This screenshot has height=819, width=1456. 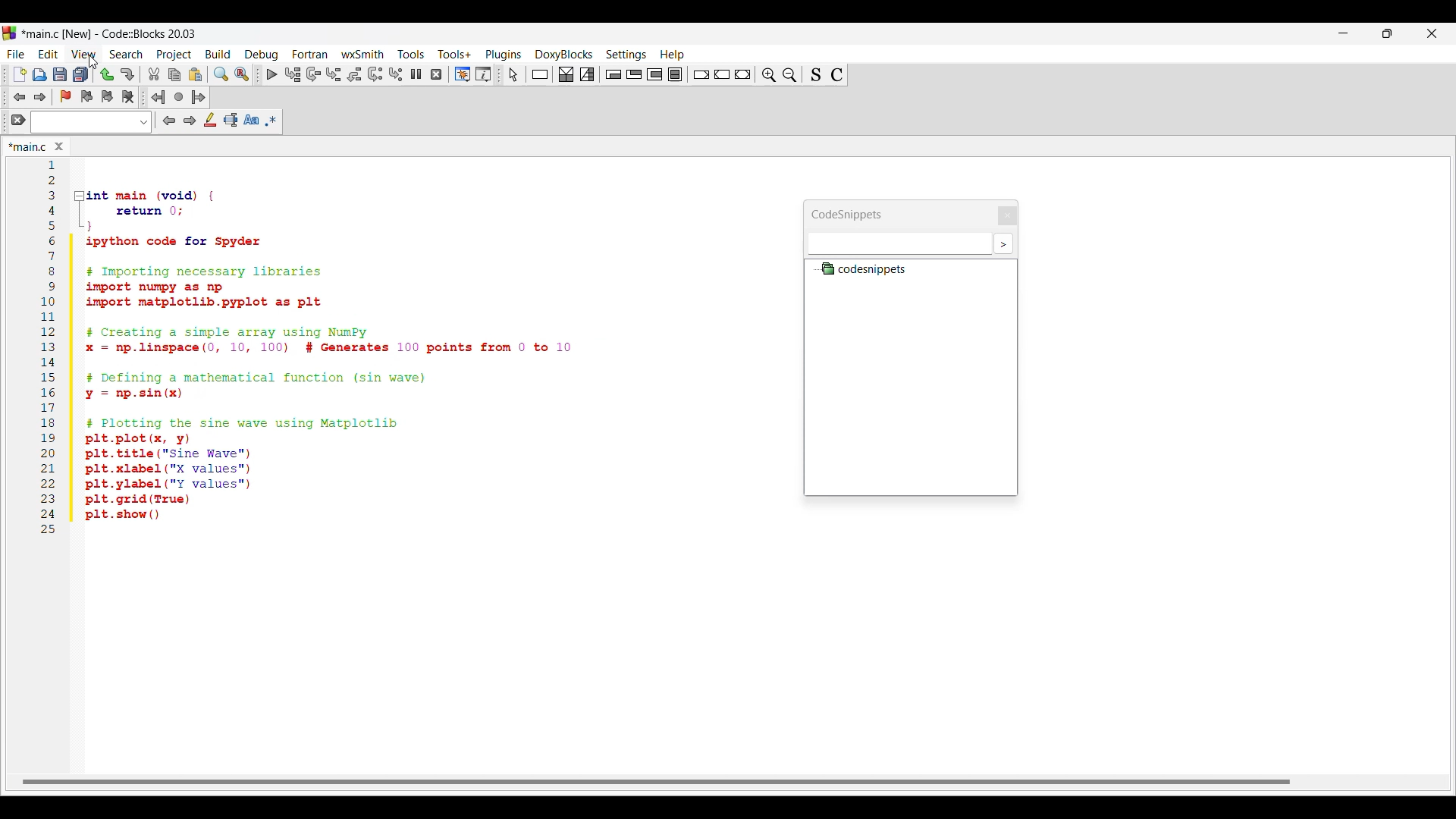 What do you see at coordinates (30, 146) in the screenshot?
I see `Panel title` at bounding box center [30, 146].